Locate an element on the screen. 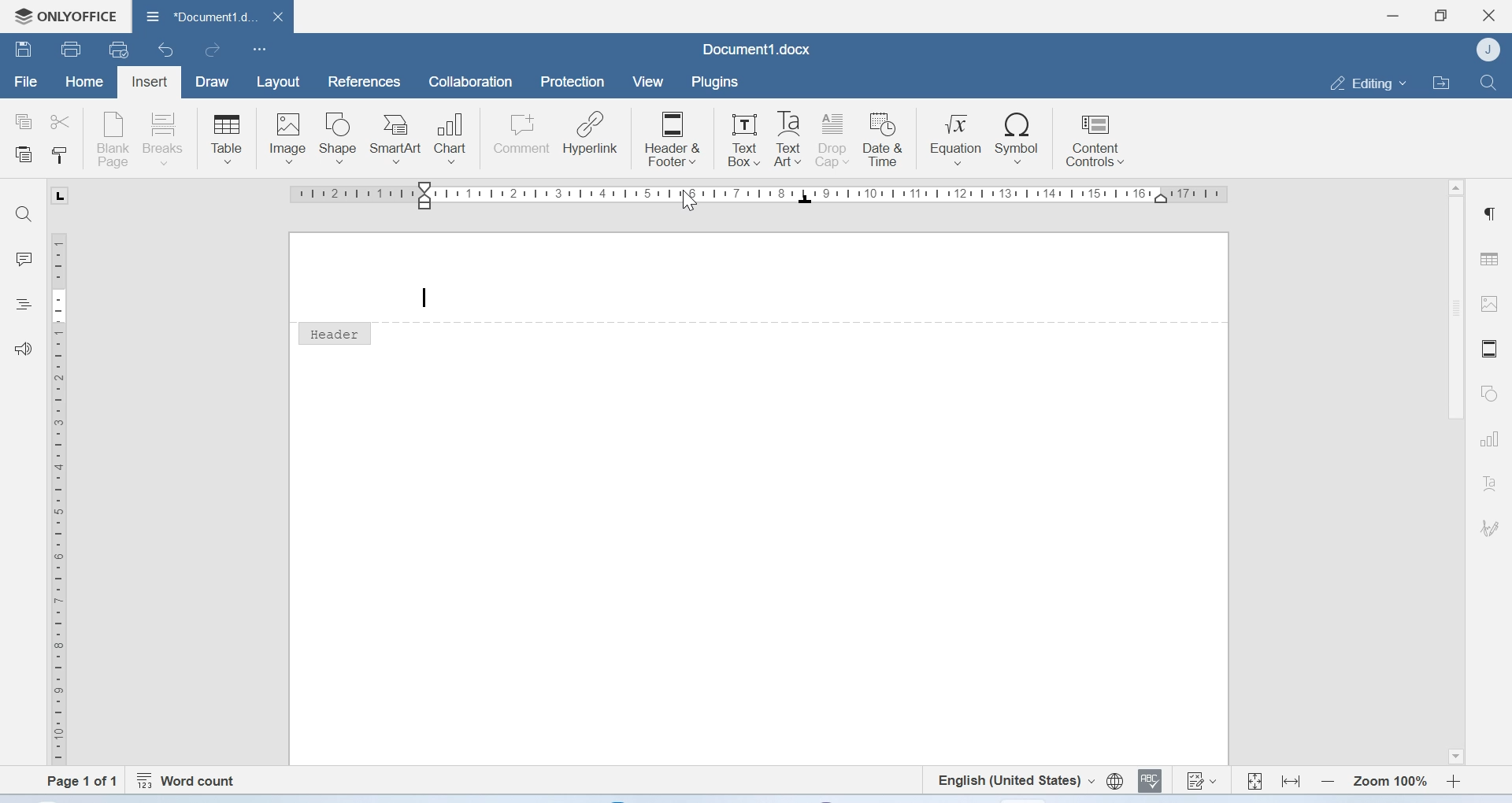 Image resolution: width=1512 pixels, height=803 pixels. Customize Quick Access Toolbar is located at coordinates (260, 50).